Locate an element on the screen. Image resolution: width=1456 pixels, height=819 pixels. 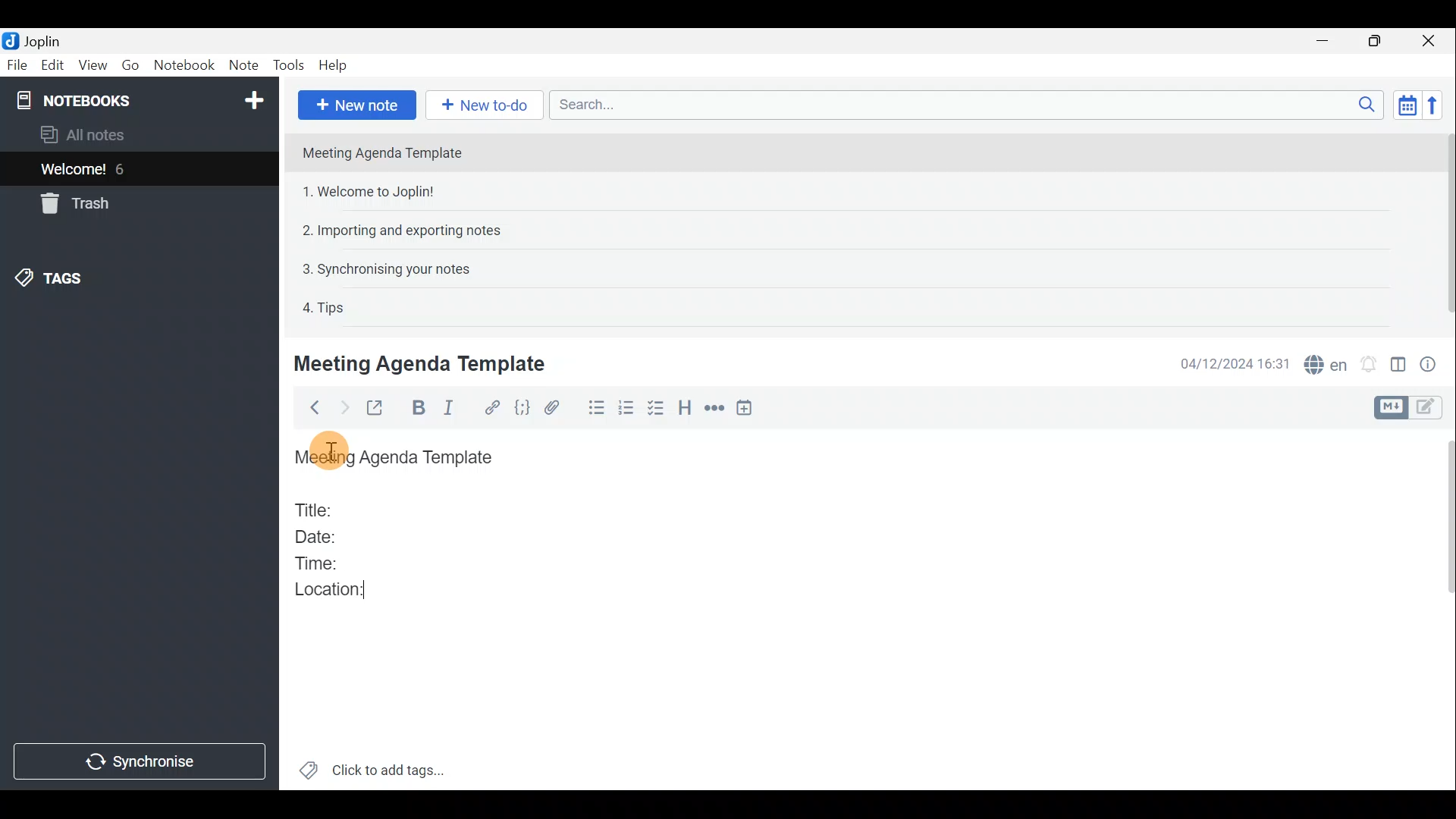
Welcome! is located at coordinates (74, 171).